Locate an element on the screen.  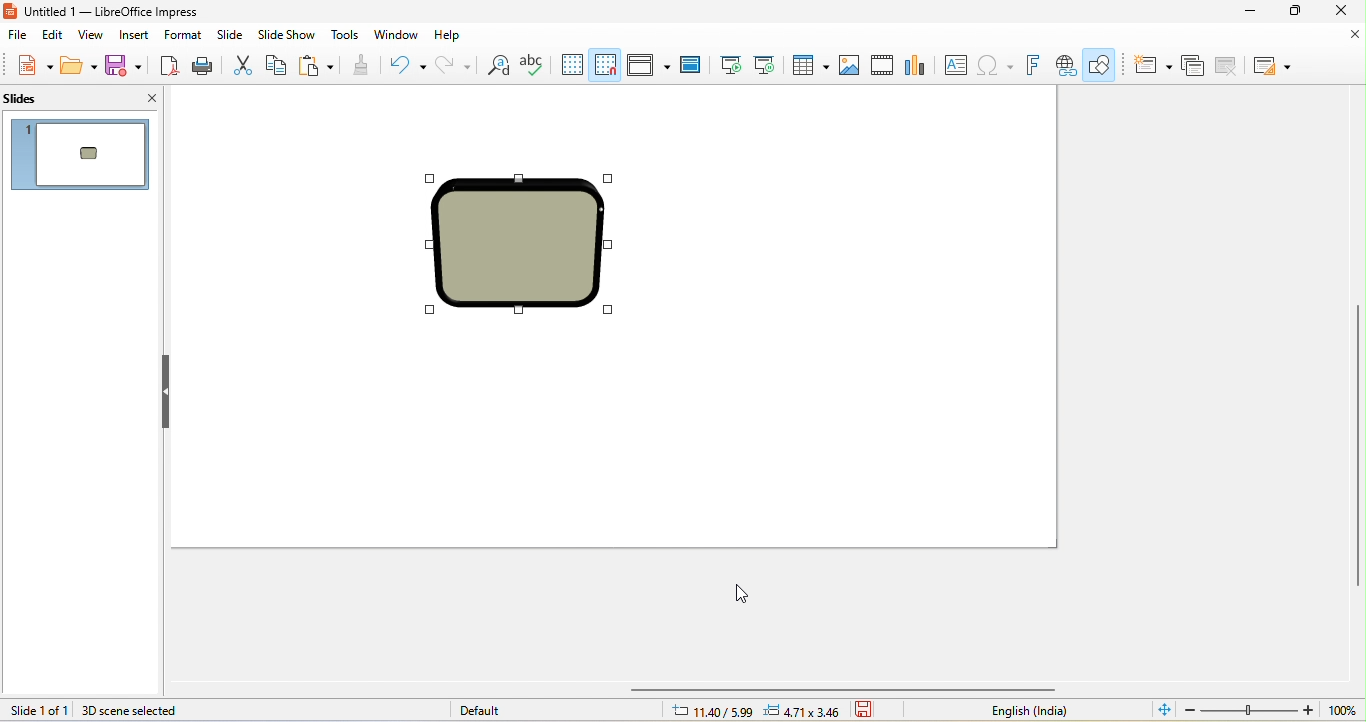
shape image showing 3D effects in slide pane is located at coordinates (90, 152).